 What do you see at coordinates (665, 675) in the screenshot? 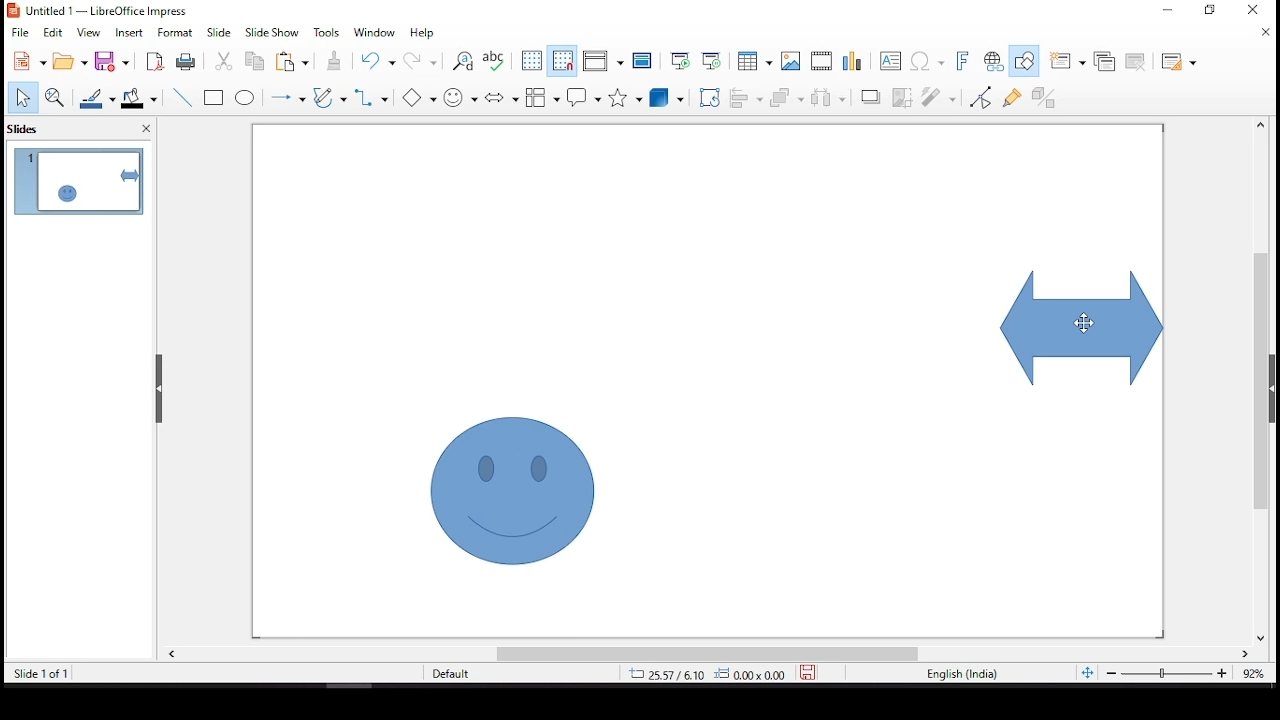
I see `25.57/6.10` at bounding box center [665, 675].